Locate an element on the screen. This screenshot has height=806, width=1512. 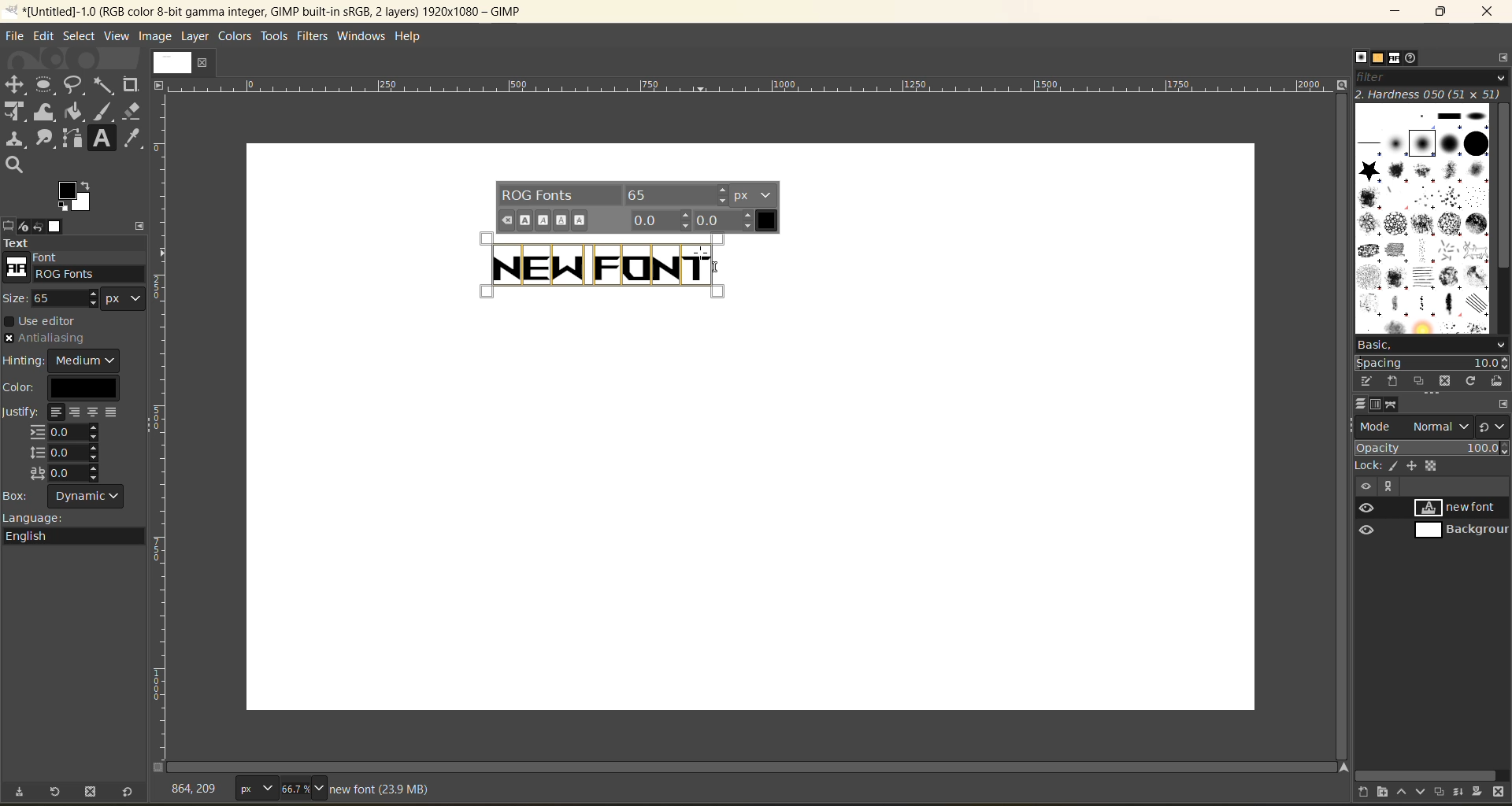
antialiasing is located at coordinates (46, 339).